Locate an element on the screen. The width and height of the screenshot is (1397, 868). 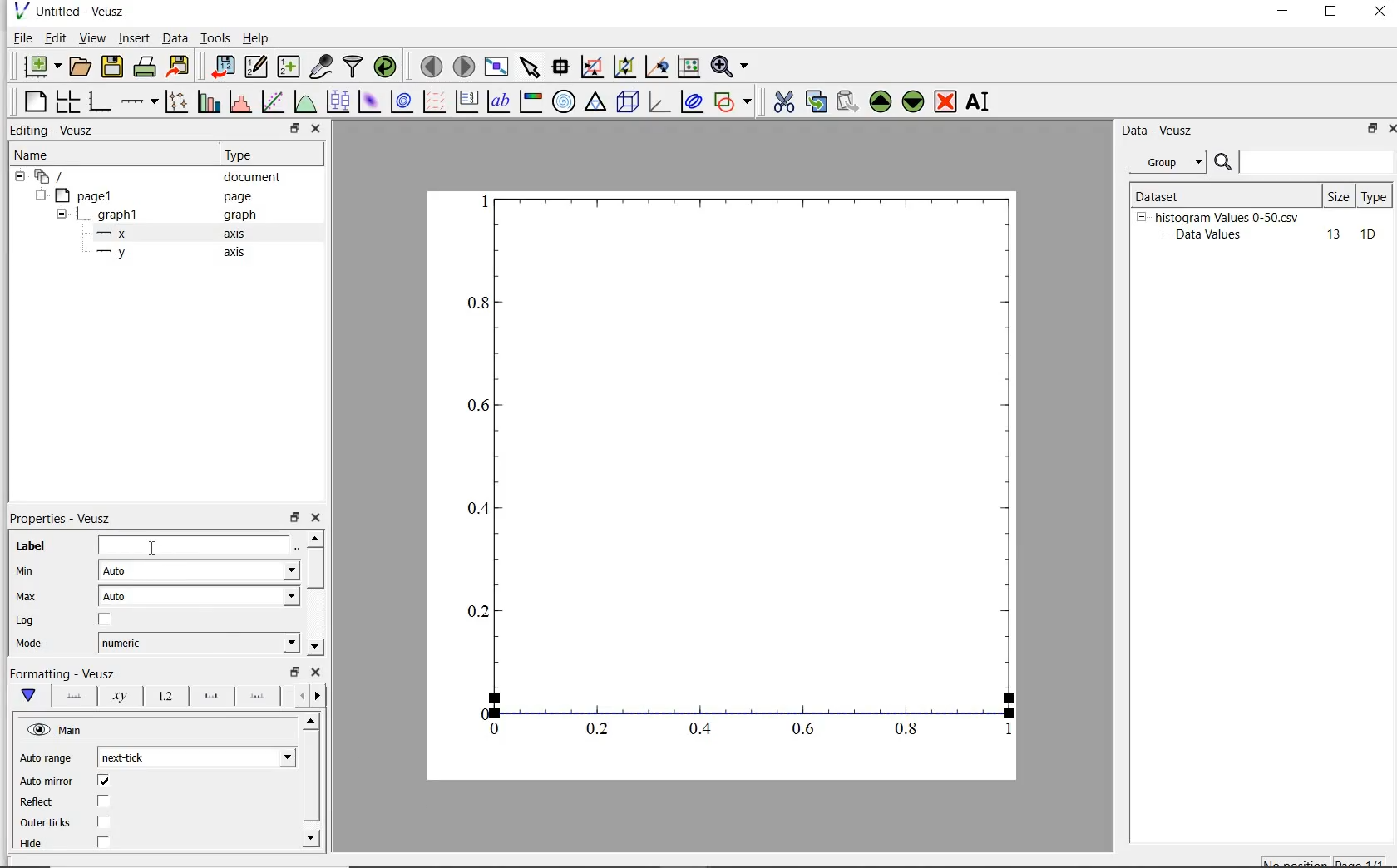
paste the selected widget is located at coordinates (847, 103).